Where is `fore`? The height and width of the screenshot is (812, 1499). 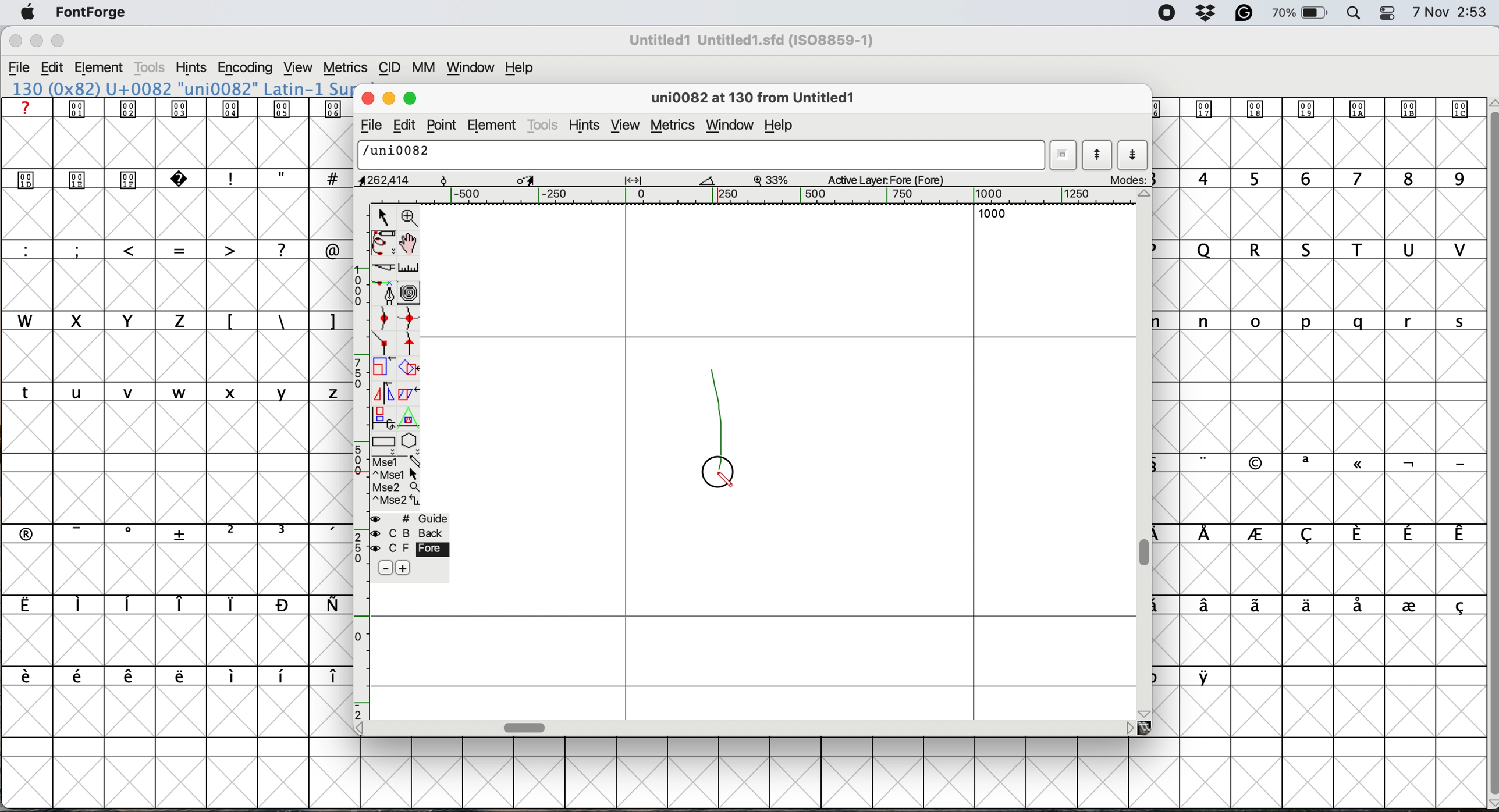
fore is located at coordinates (408, 550).